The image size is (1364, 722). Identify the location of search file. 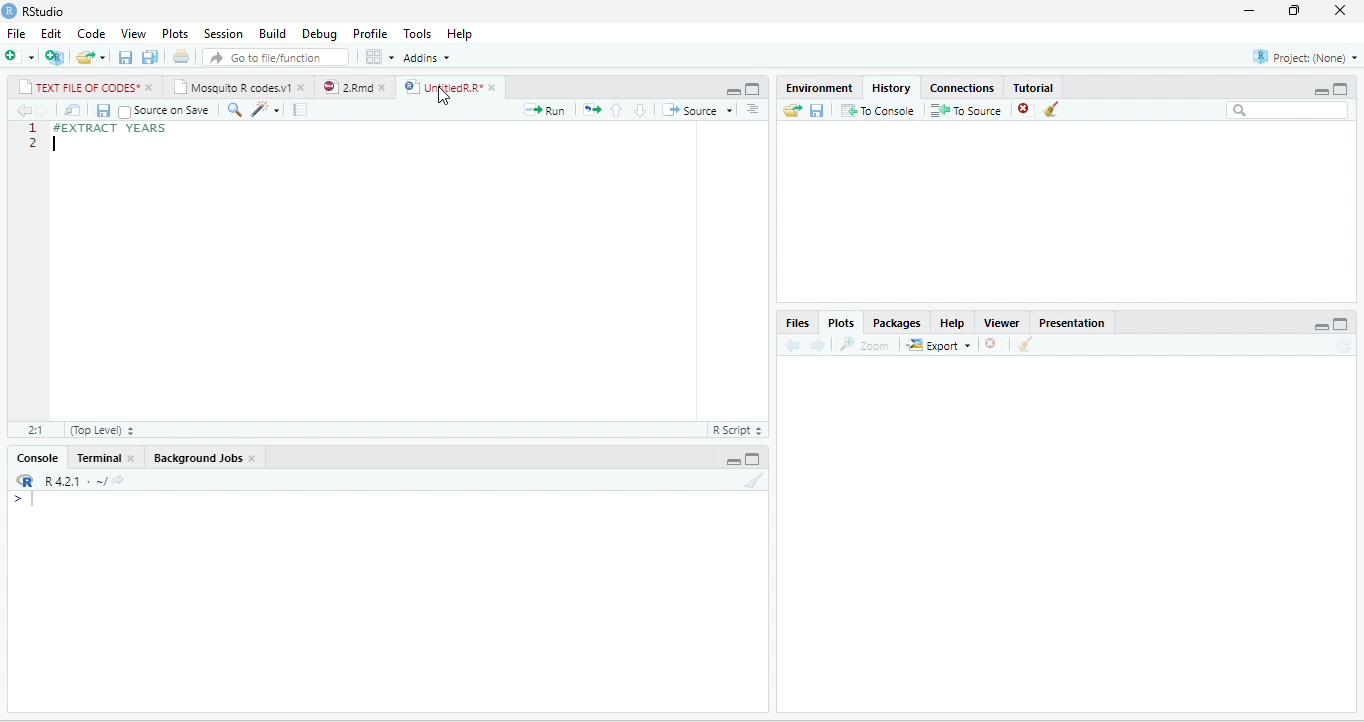
(276, 57).